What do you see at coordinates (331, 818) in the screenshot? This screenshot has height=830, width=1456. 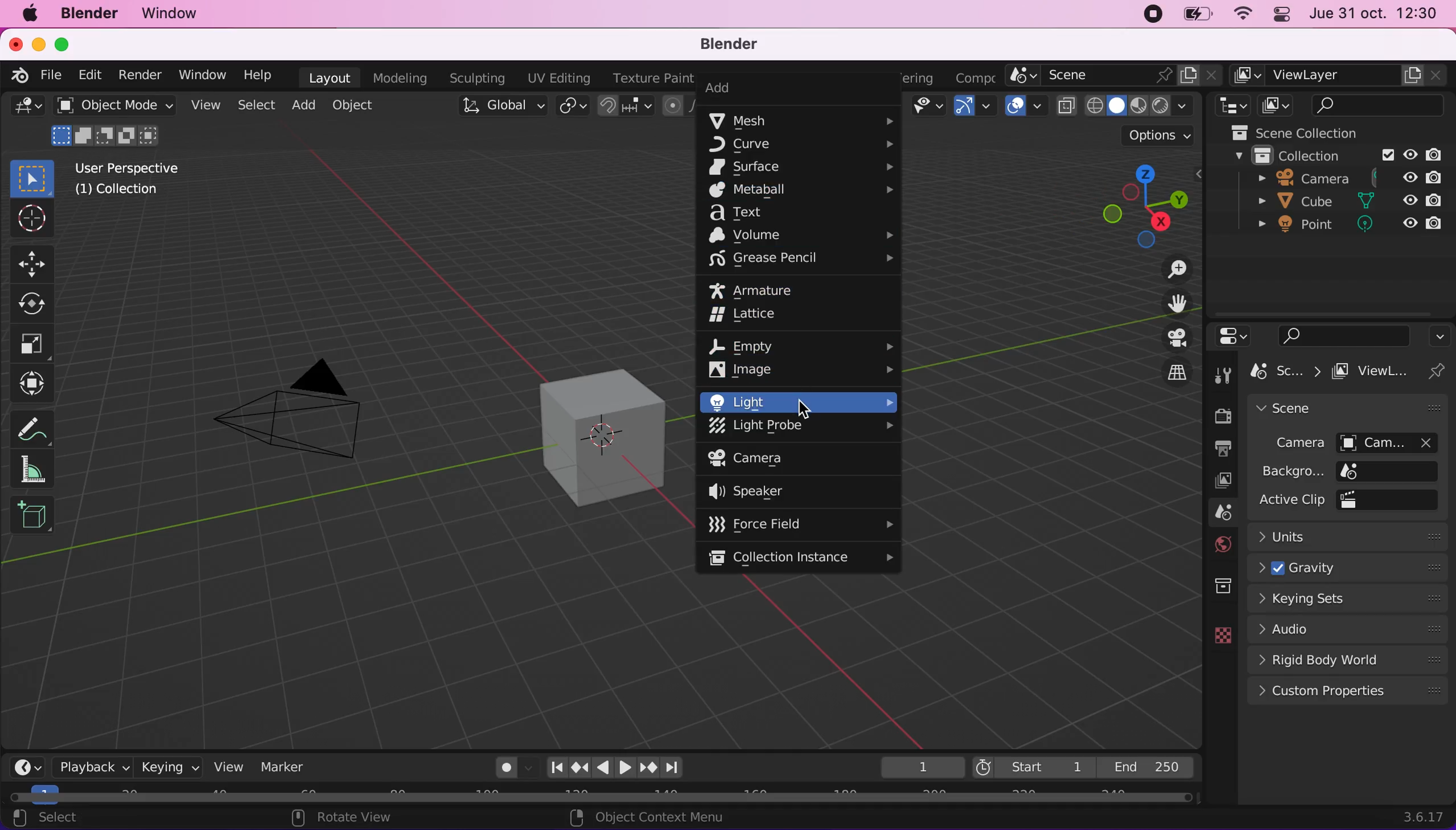 I see `pan view` at bounding box center [331, 818].